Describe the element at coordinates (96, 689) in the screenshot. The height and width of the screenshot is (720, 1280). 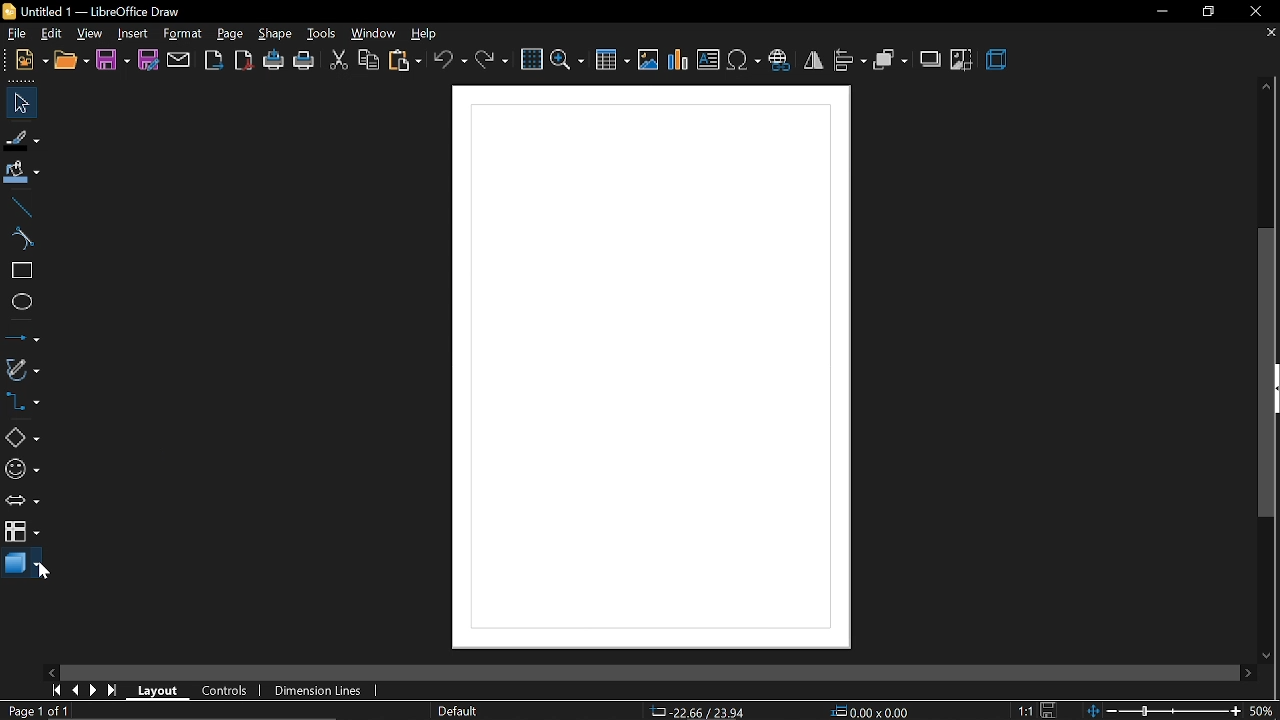
I see `next page ` at that location.